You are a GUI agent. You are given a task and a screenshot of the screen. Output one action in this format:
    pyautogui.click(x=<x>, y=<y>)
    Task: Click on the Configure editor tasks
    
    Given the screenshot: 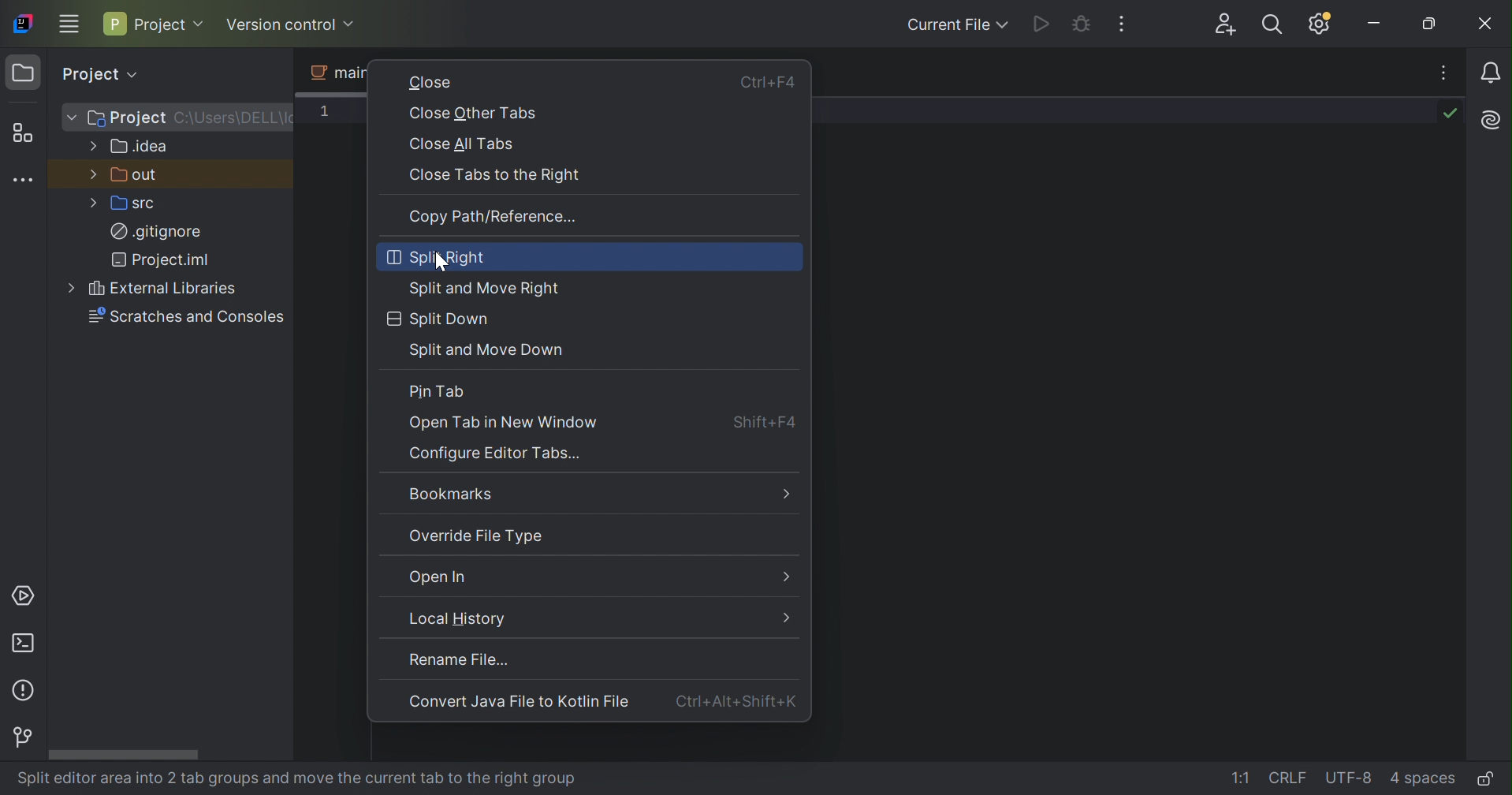 What is the action you would take?
    pyautogui.click(x=501, y=452)
    